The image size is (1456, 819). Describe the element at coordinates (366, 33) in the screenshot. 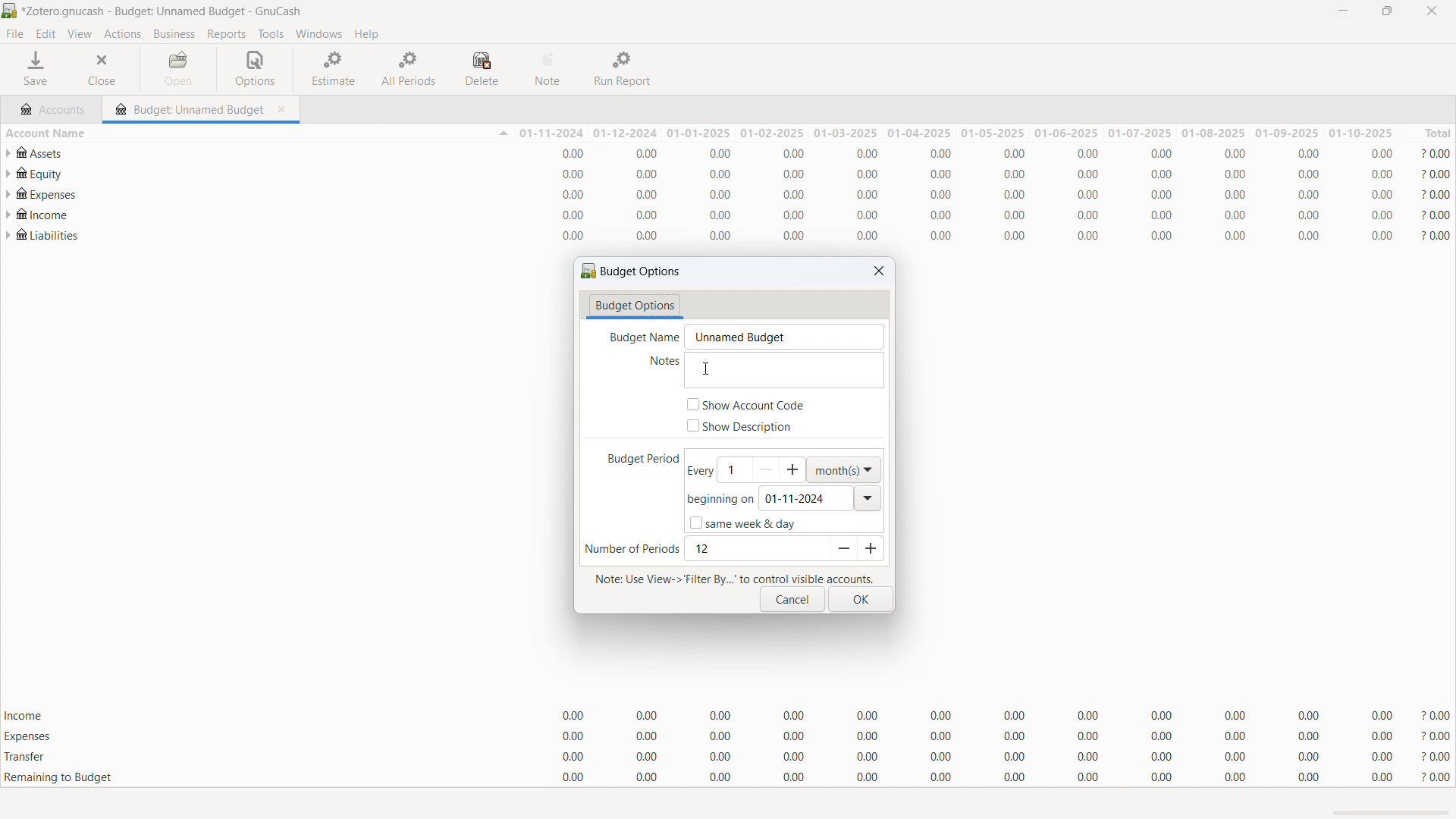

I see `help` at that location.